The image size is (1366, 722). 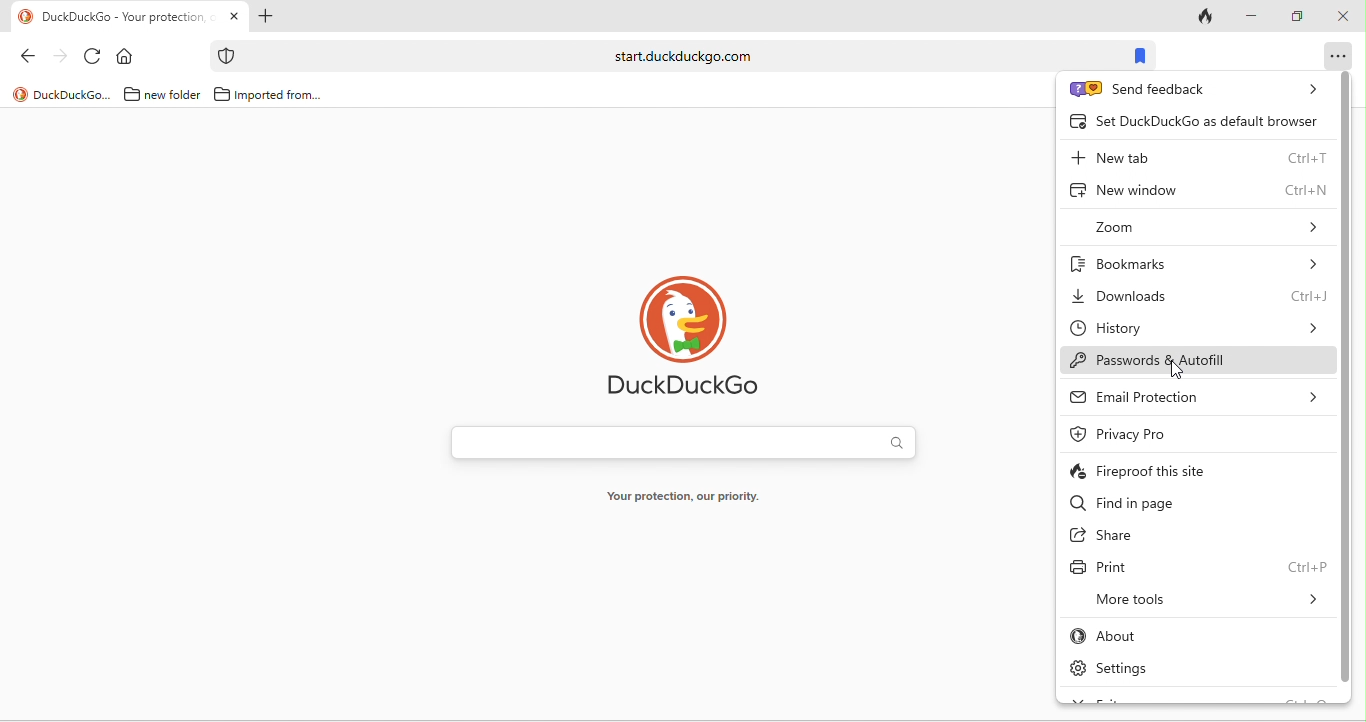 I want to click on send feedback, so click(x=1191, y=90).